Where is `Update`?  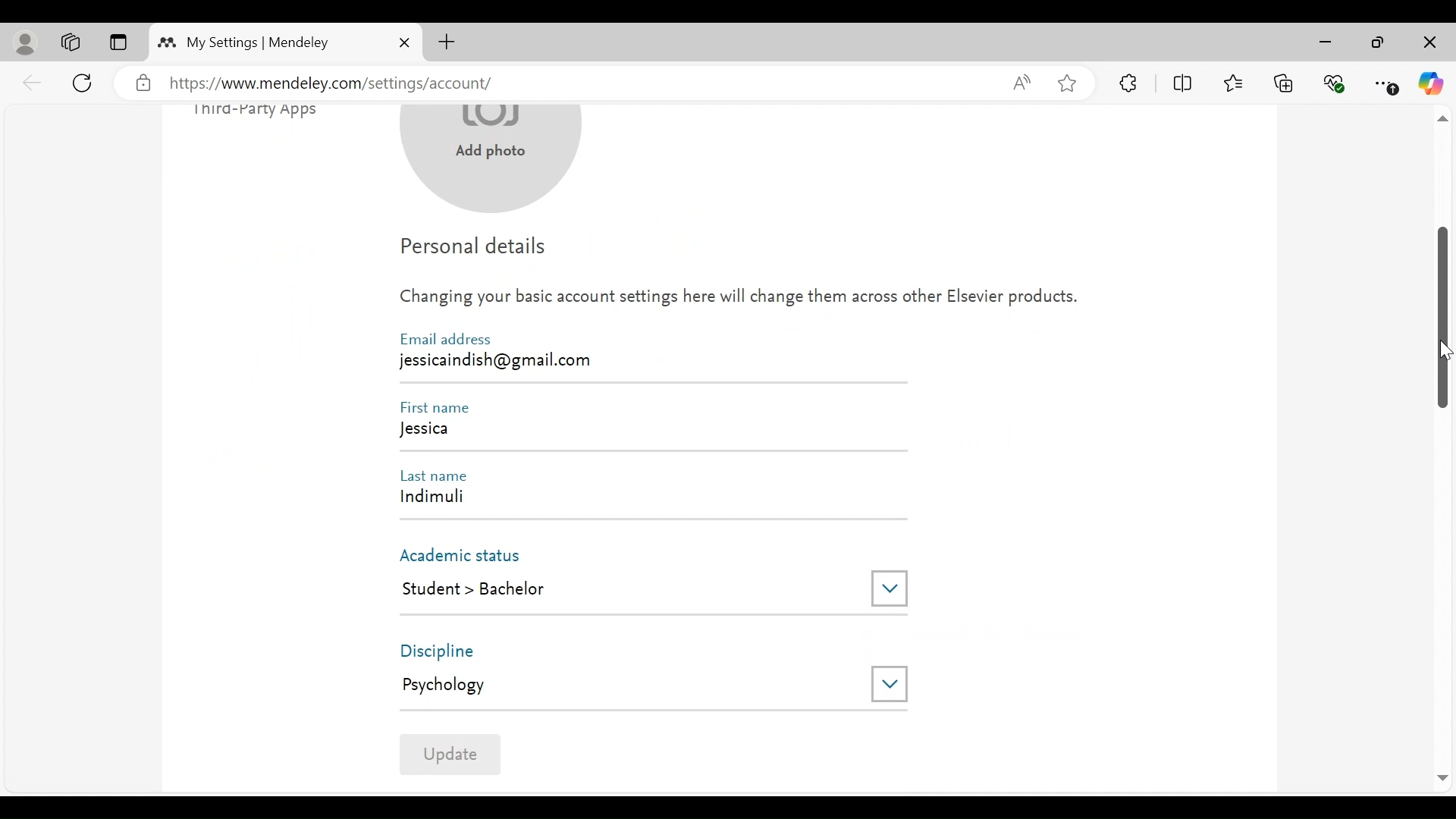
Update is located at coordinates (450, 753).